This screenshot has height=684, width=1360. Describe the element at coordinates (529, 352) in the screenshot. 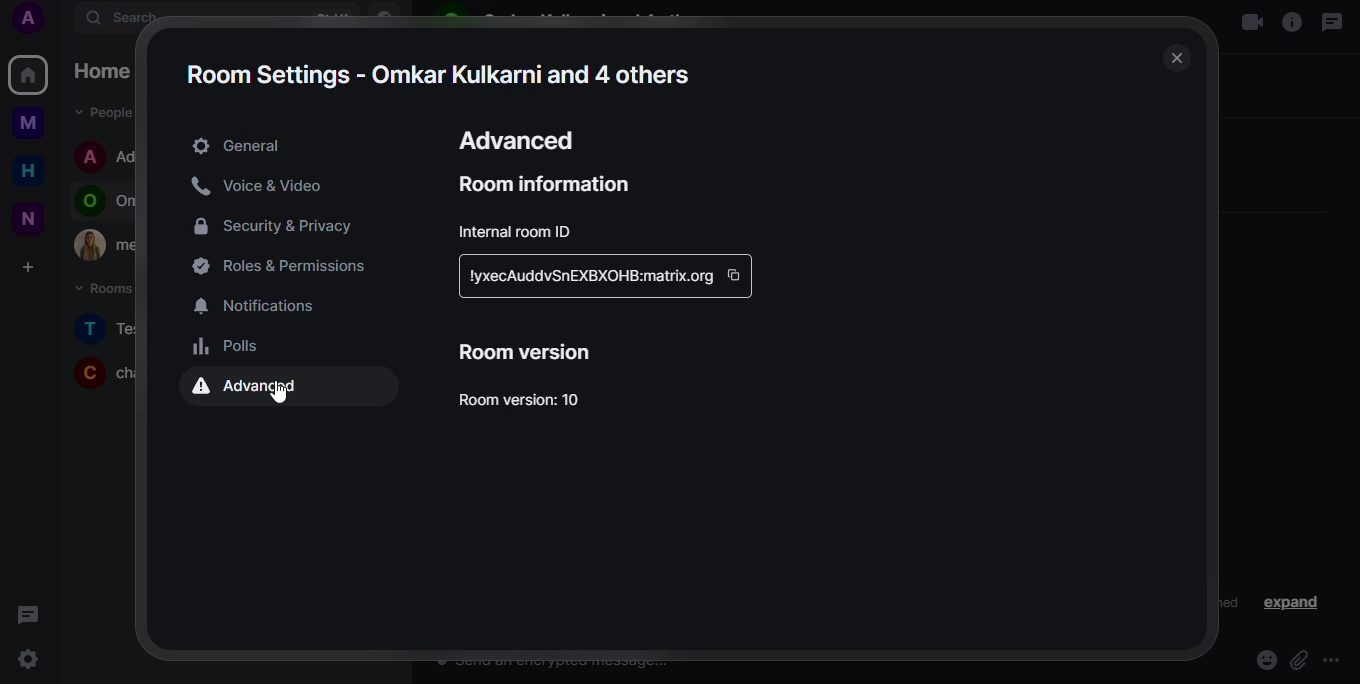

I see `version` at that location.